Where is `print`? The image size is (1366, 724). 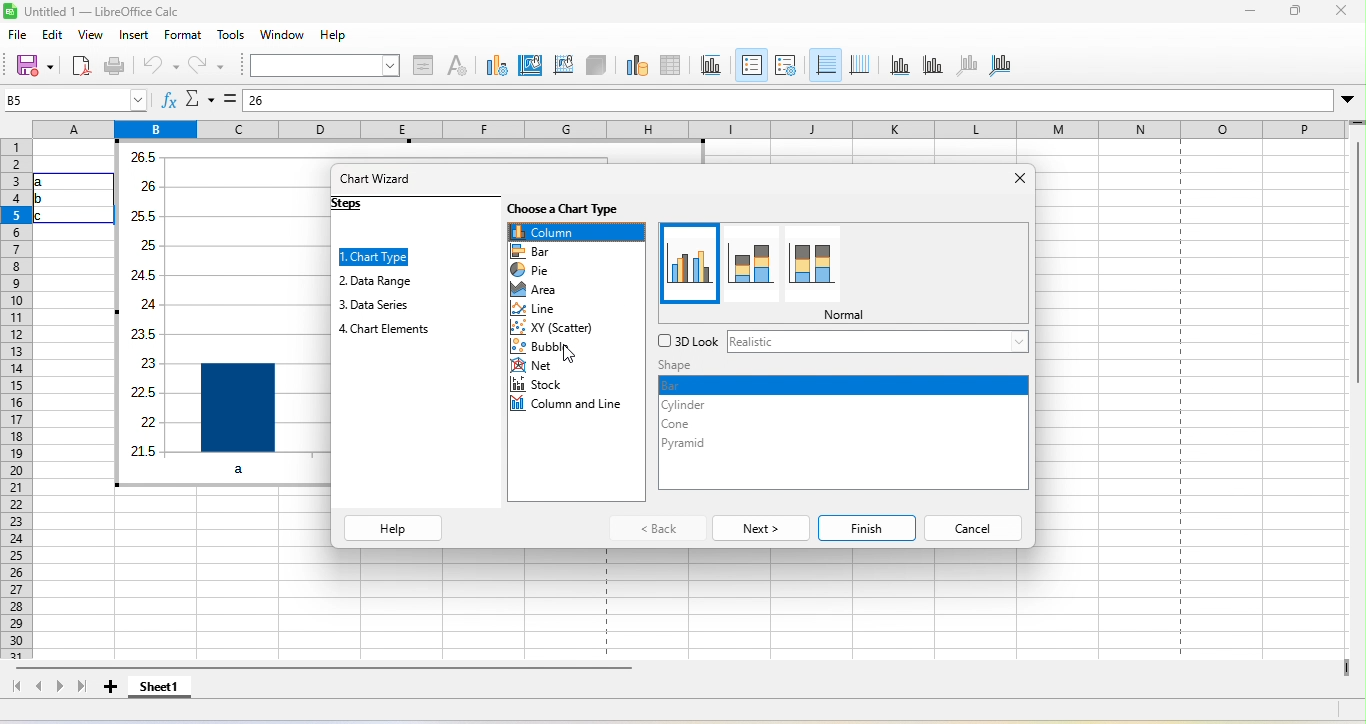
print is located at coordinates (114, 66).